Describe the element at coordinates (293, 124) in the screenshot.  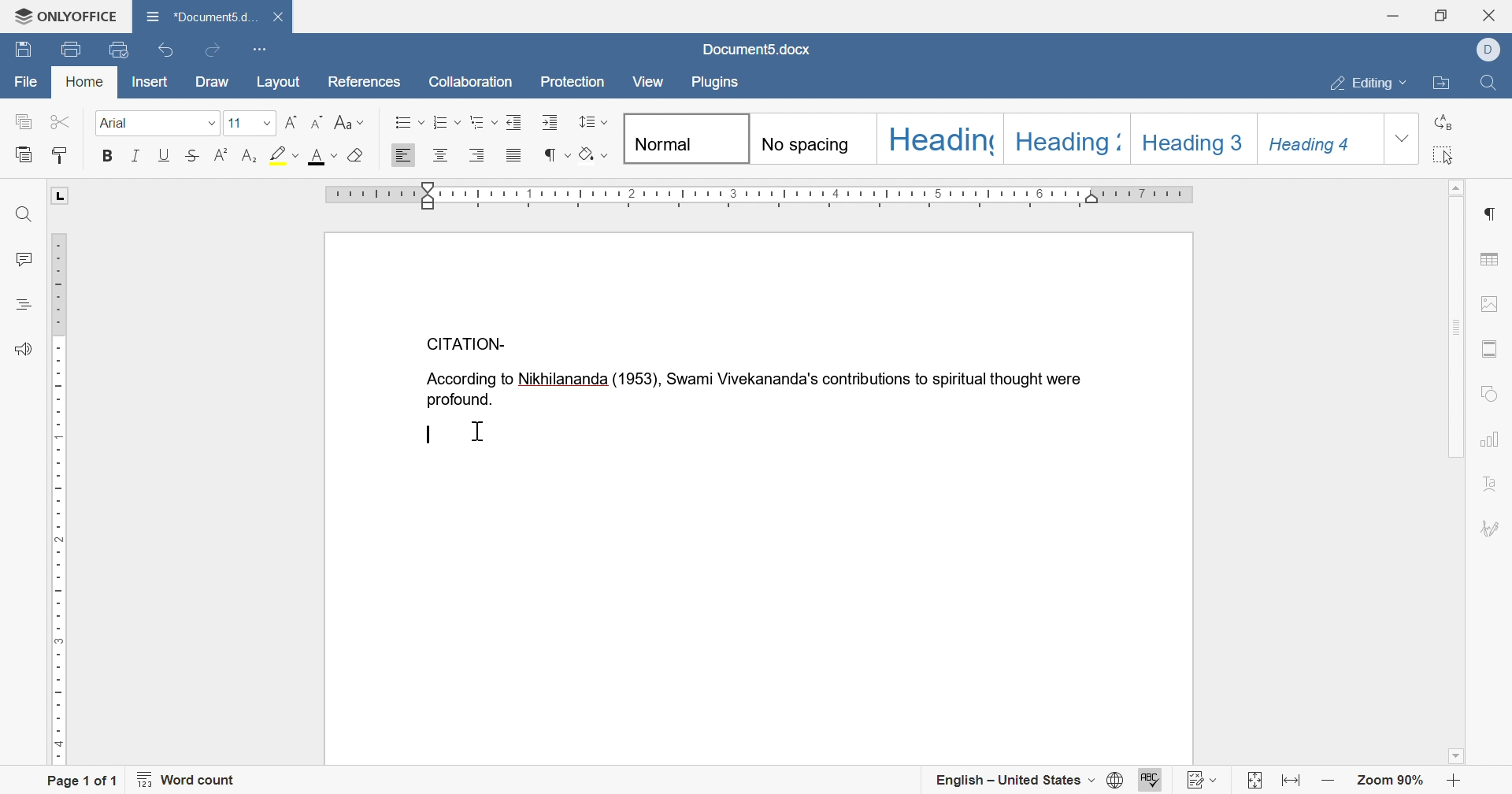
I see `increment font size` at that location.